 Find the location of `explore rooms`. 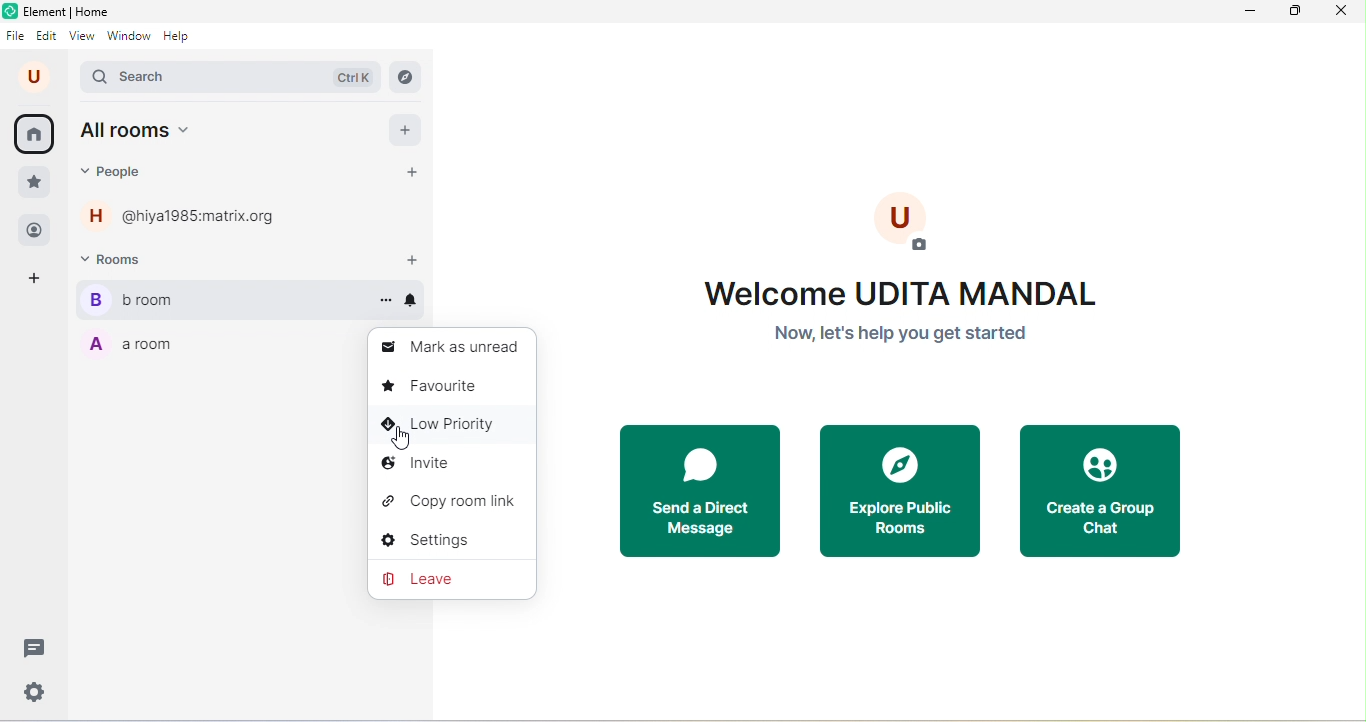

explore rooms is located at coordinates (406, 75).